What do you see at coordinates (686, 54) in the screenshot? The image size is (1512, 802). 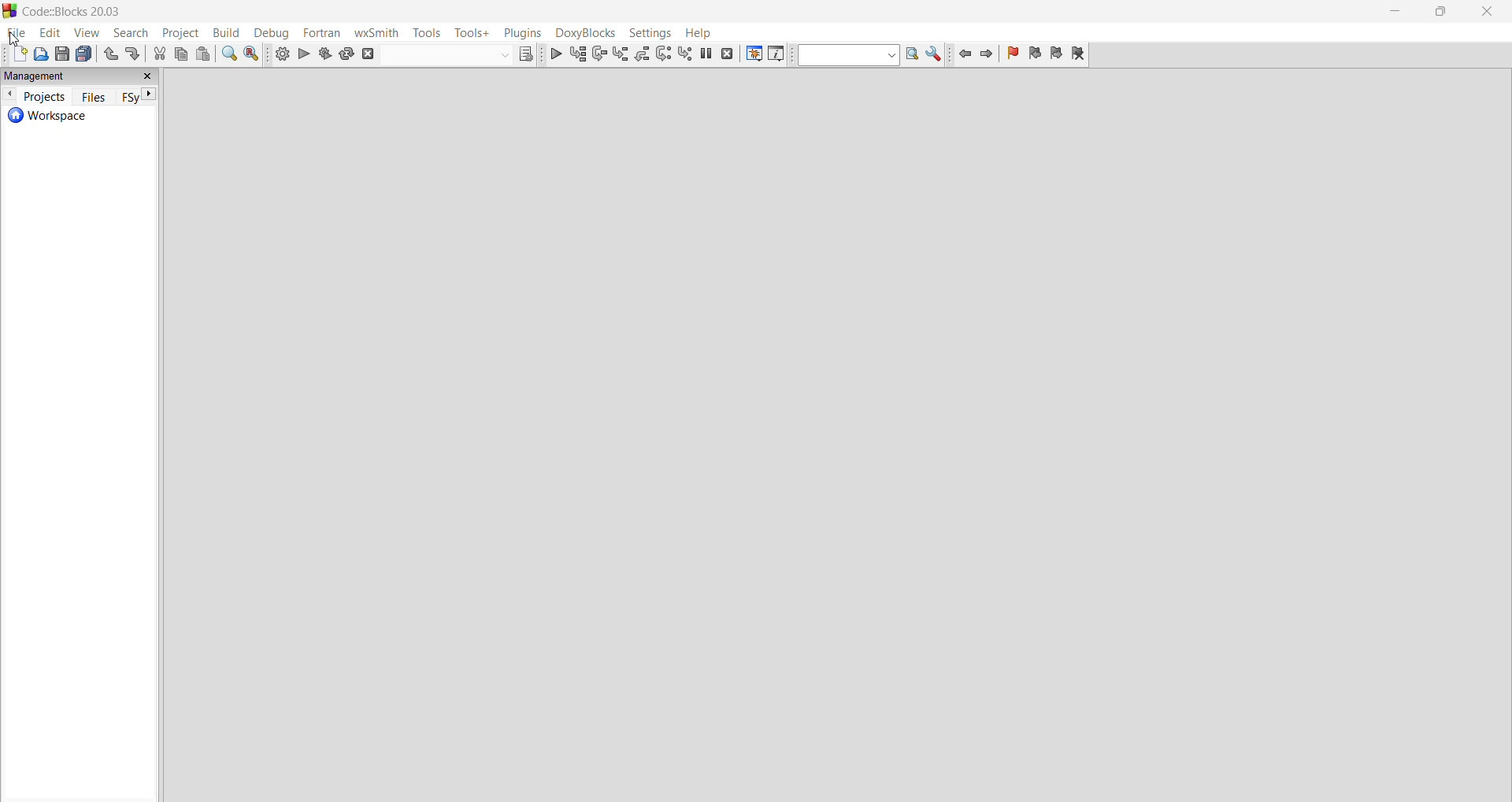 I see `step into instructions` at bounding box center [686, 54].